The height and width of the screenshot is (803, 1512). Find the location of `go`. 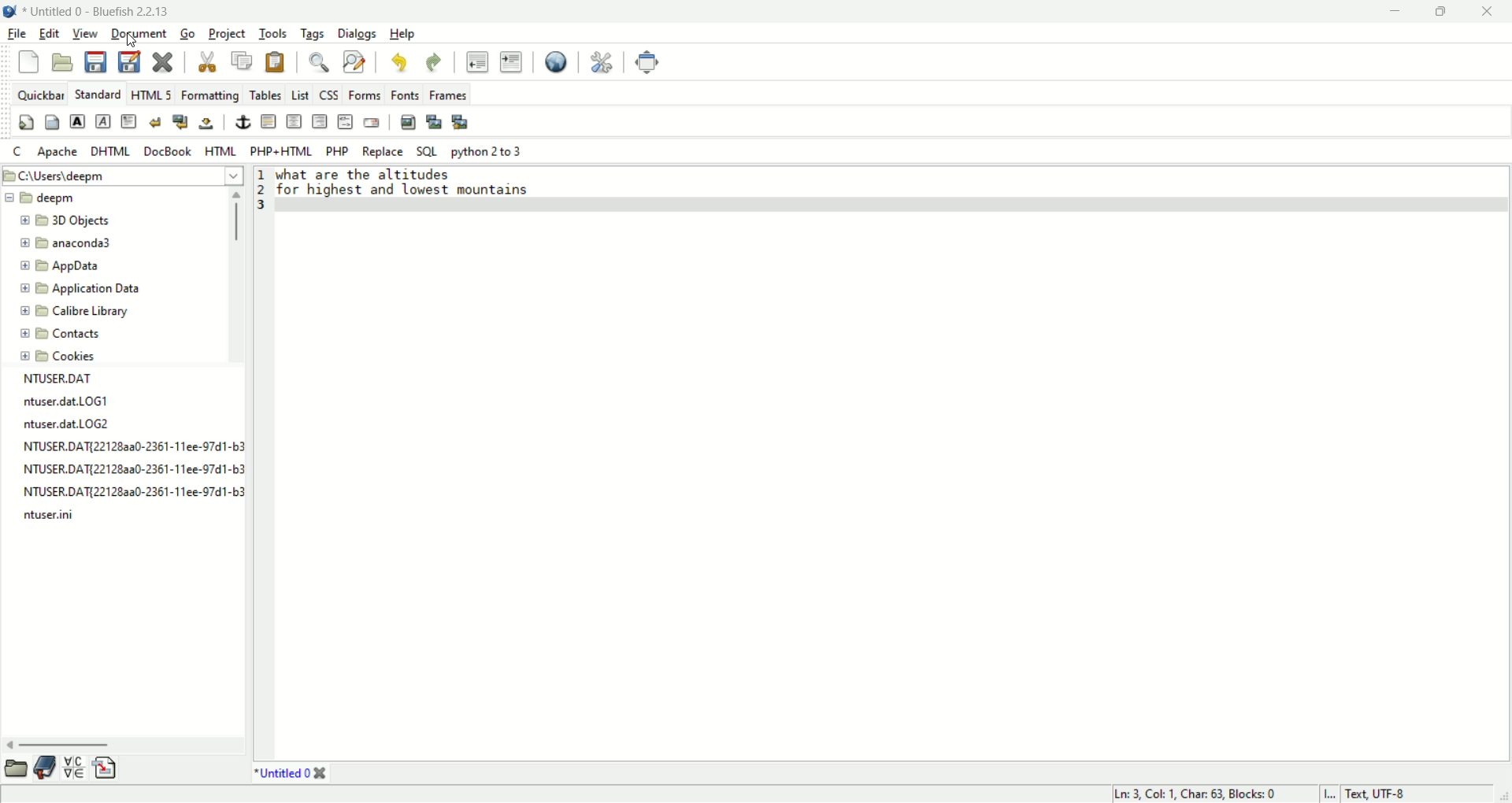

go is located at coordinates (189, 35).